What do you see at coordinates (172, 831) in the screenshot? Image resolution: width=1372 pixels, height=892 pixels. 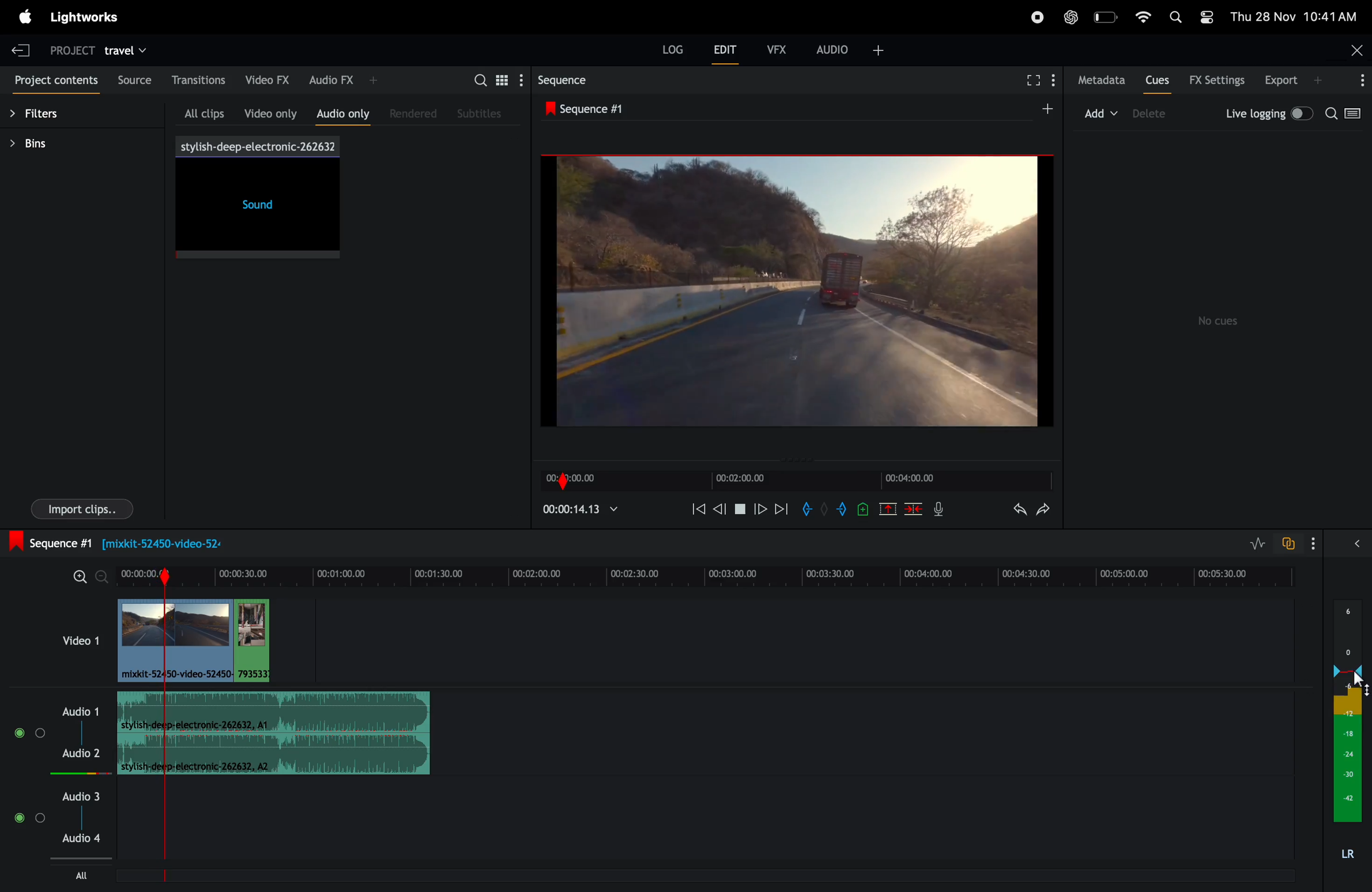 I see `Sequence Marker` at bounding box center [172, 831].